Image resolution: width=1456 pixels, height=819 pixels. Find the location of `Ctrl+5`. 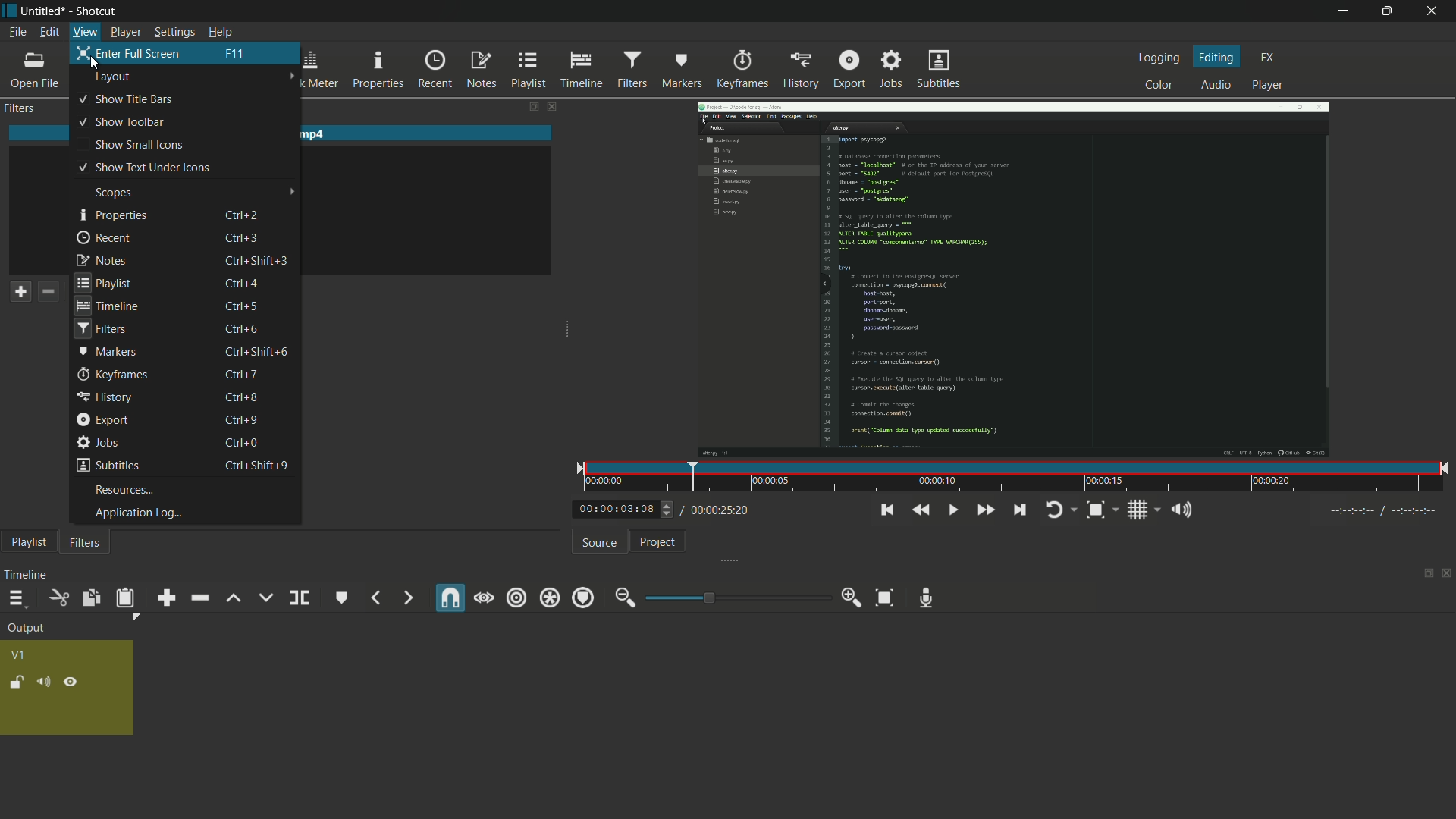

Ctrl+5 is located at coordinates (240, 306).